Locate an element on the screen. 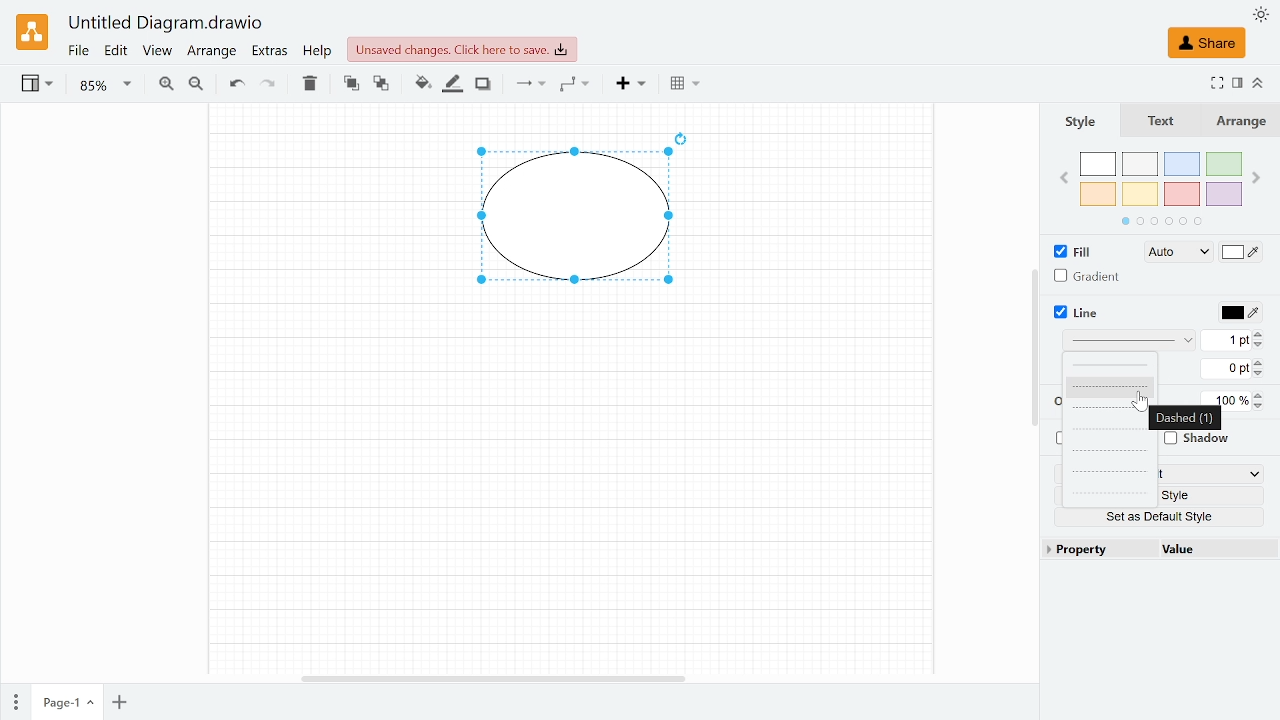 The width and height of the screenshot is (1280, 720). Unsaved changes. Click here to save is located at coordinates (457, 49).